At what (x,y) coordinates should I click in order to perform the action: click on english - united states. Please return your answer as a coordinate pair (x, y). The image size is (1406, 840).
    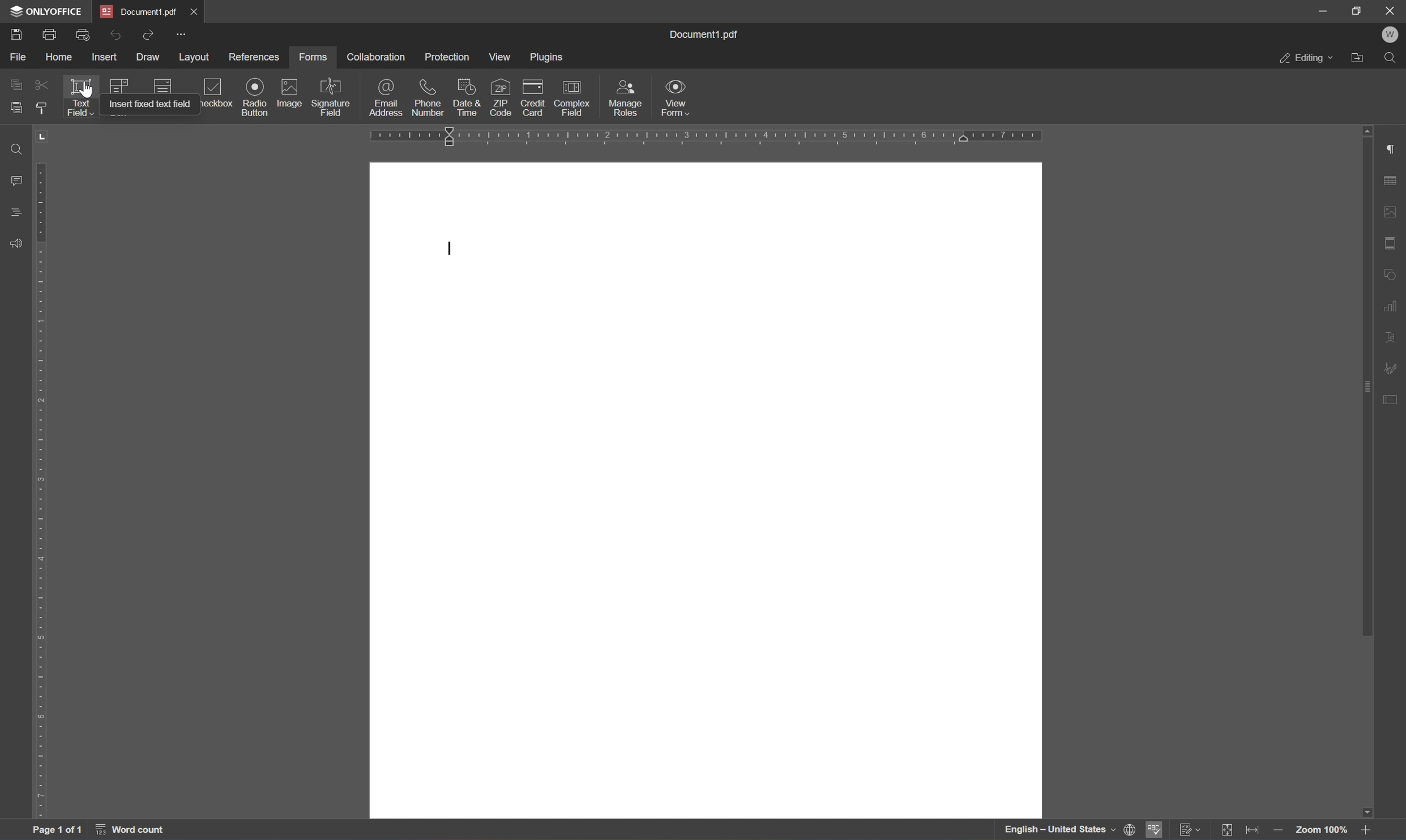
    Looking at the image, I should click on (1059, 831).